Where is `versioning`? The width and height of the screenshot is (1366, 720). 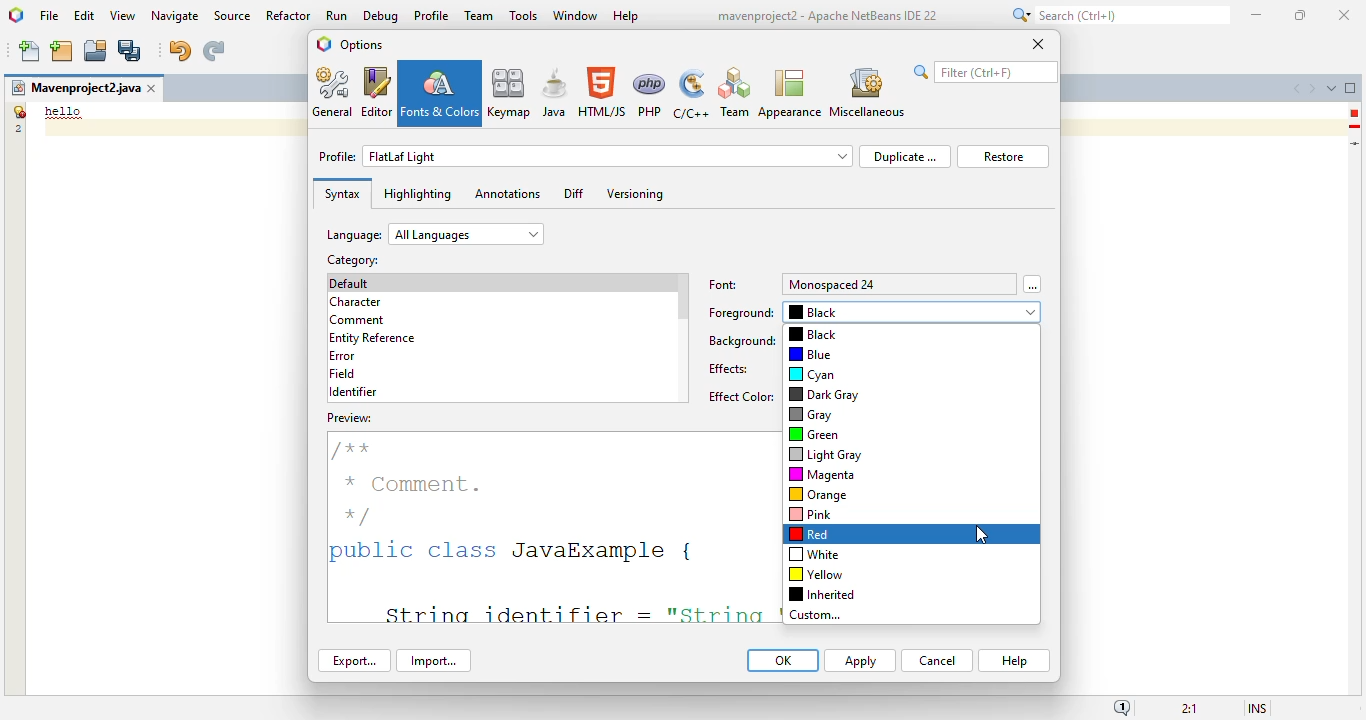
versioning is located at coordinates (636, 194).